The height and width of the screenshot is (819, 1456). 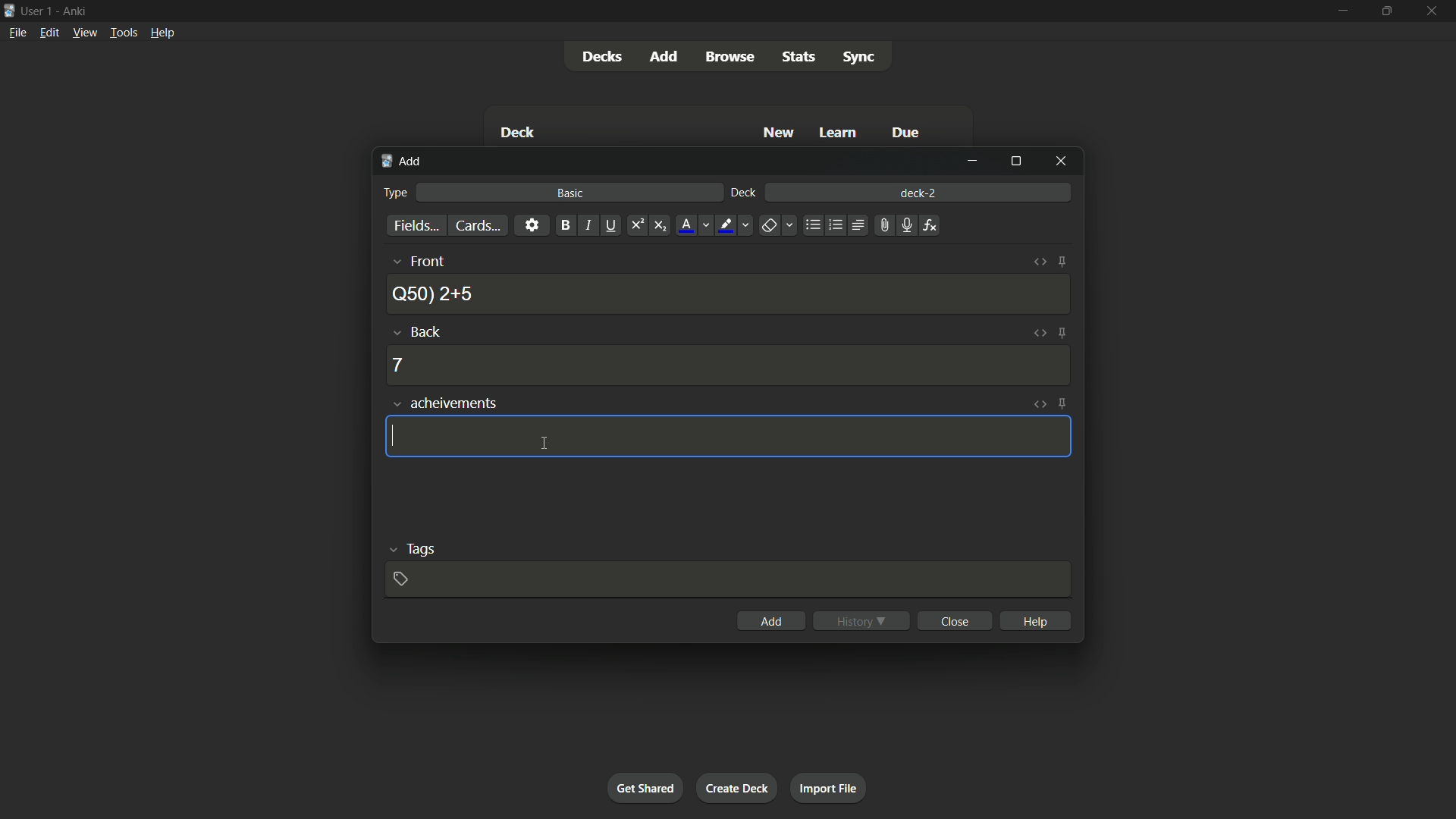 I want to click on tools menu, so click(x=124, y=33).